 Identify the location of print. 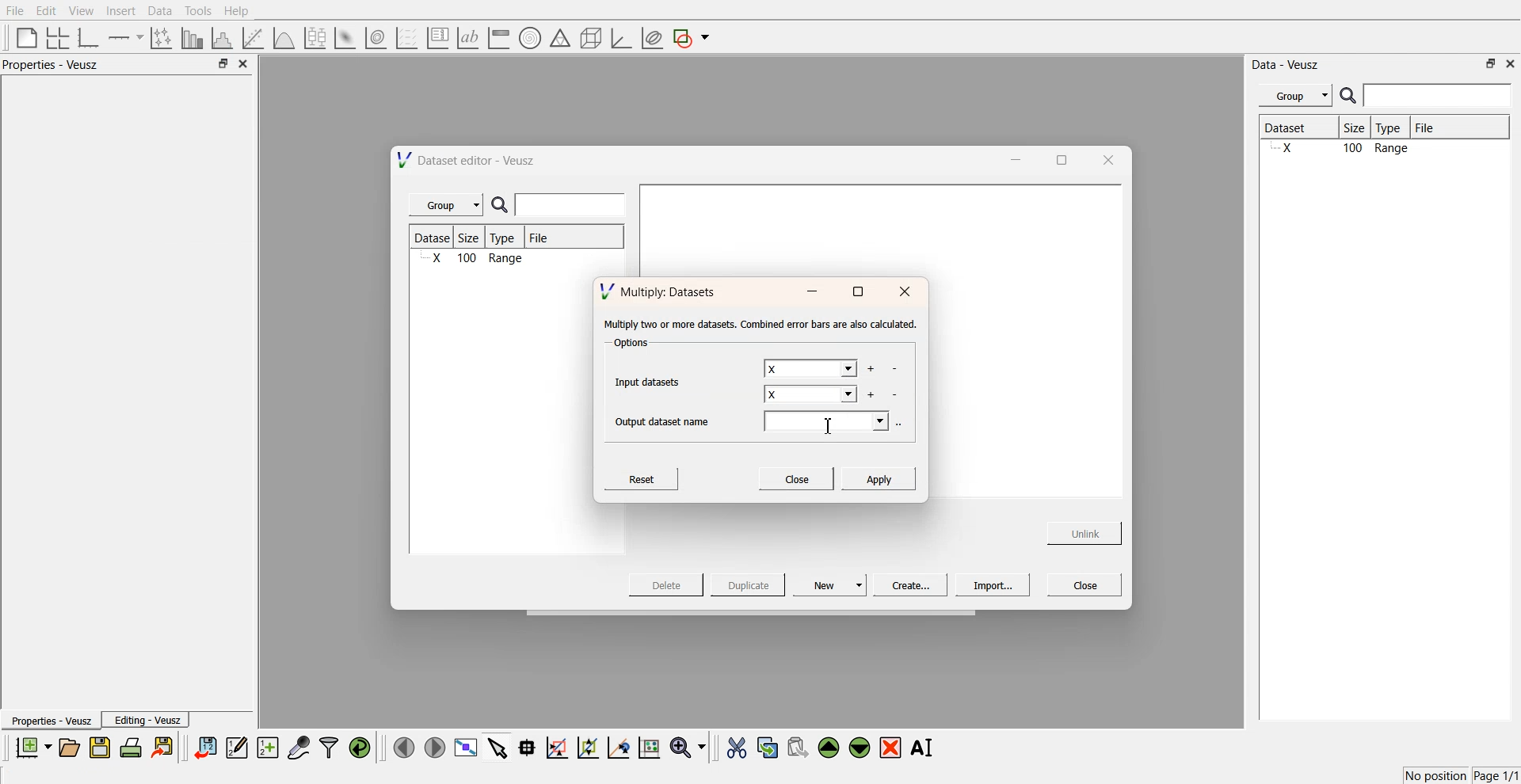
(135, 747).